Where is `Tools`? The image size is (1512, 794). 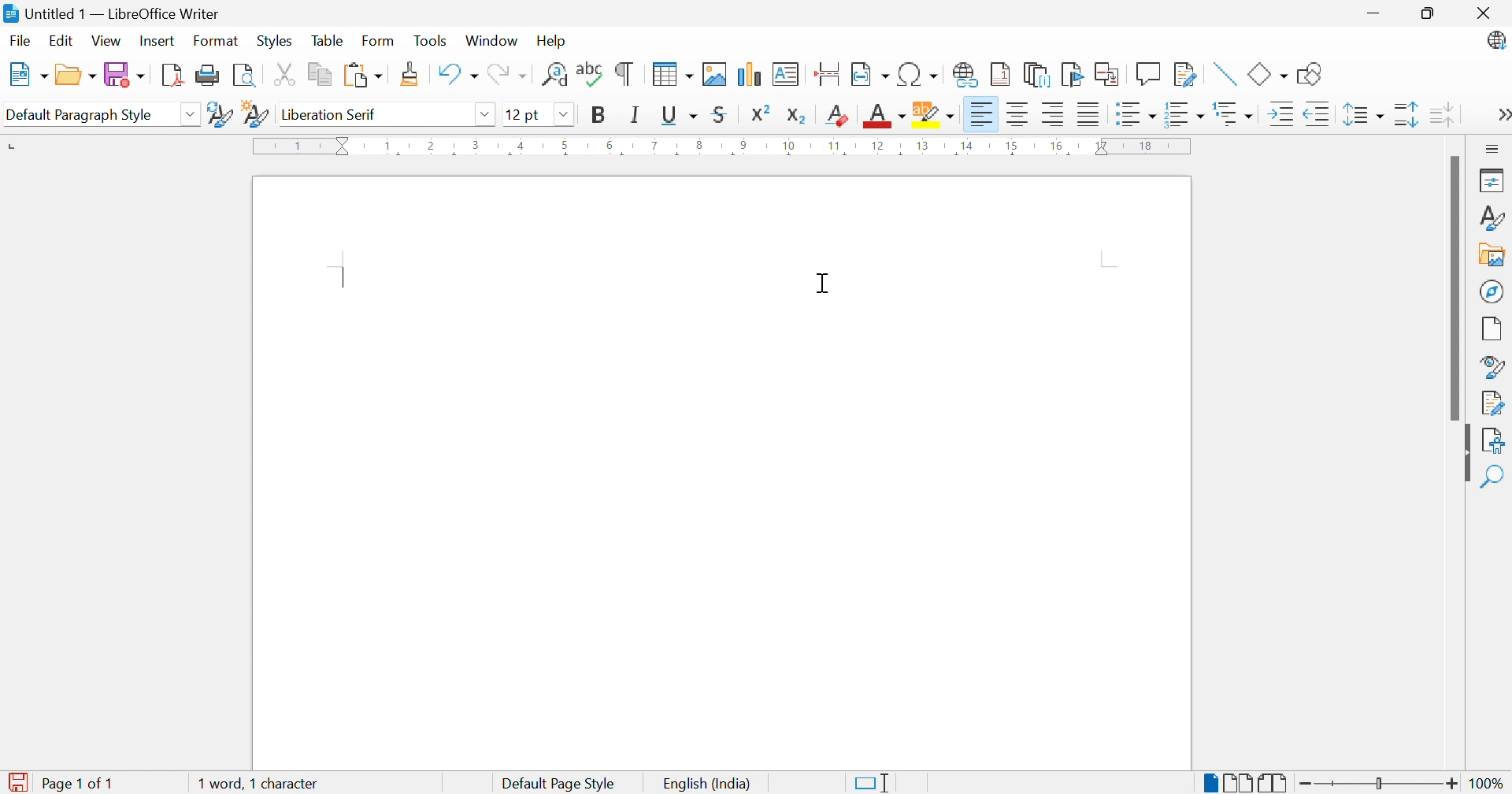
Tools is located at coordinates (431, 39).